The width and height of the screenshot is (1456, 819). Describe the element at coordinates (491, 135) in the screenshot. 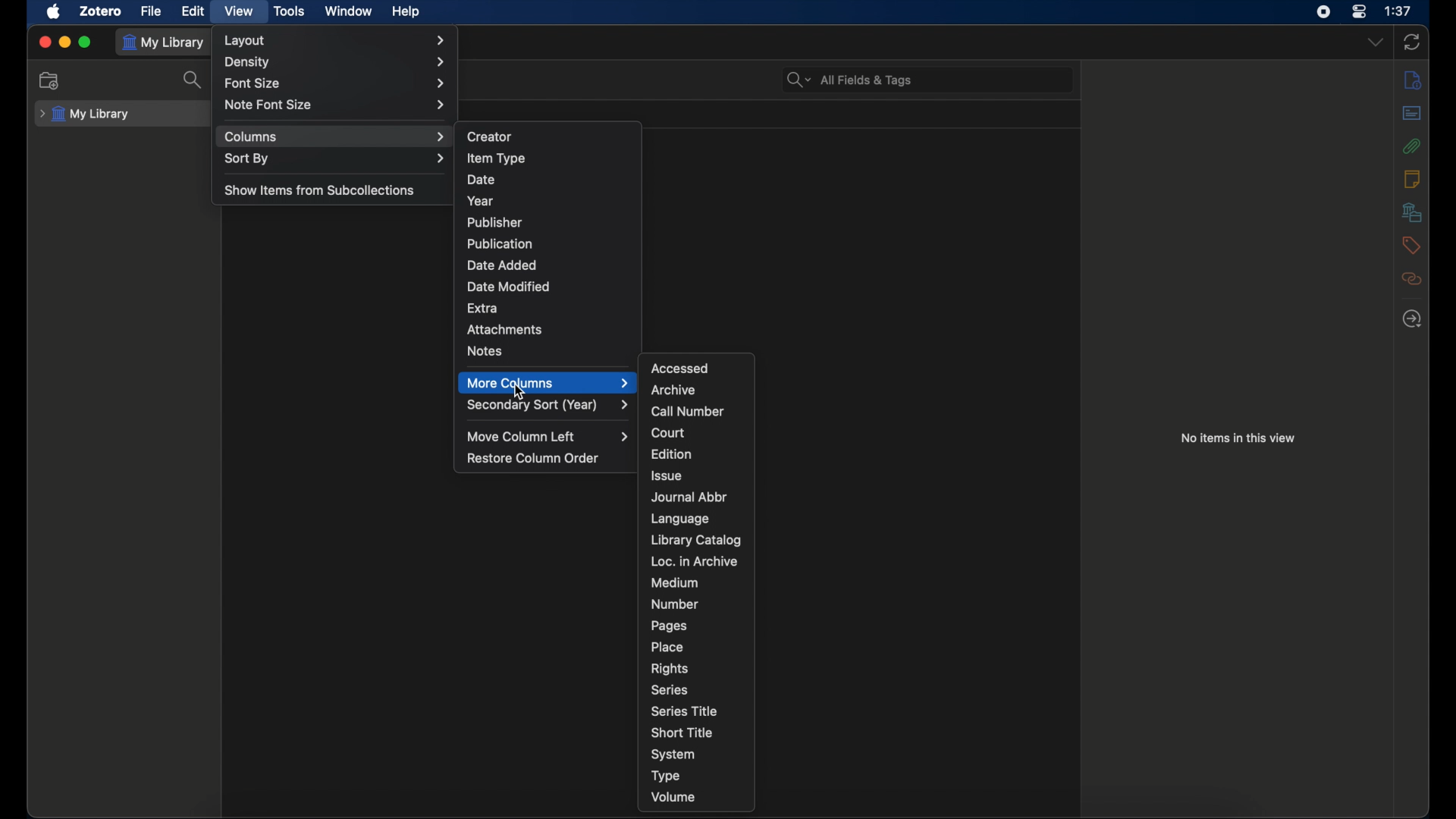

I see `creator` at that location.